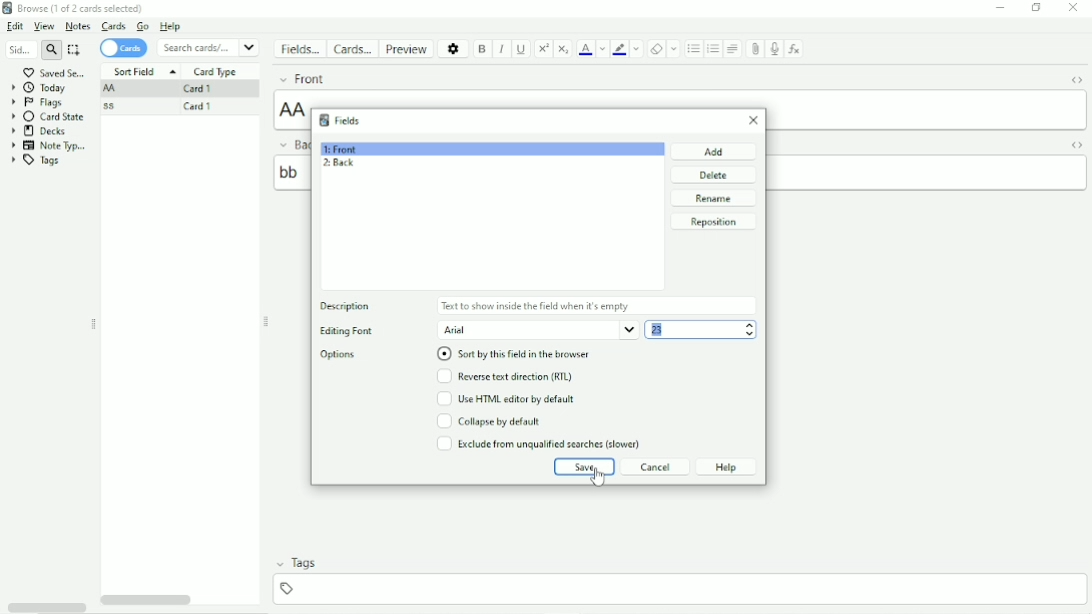 This screenshot has width=1092, height=614. Describe the element at coordinates (45, 27) in the screenshot. I see `View` at that location.